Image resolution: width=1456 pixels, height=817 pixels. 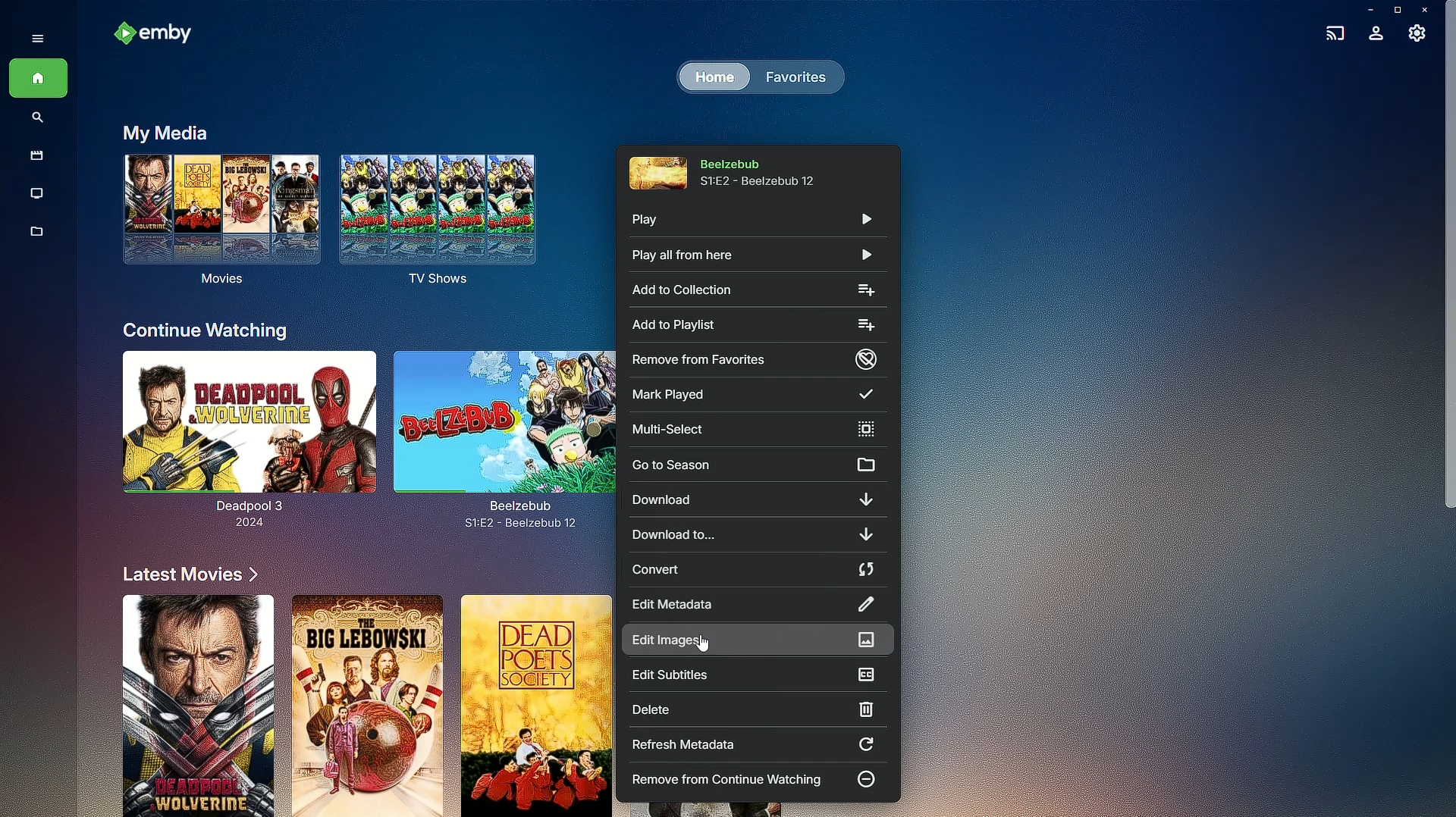 What do you see at coordinates (184, 574) in the screenshot?
I see `Latest Movies` at bounding box center [184, 574].